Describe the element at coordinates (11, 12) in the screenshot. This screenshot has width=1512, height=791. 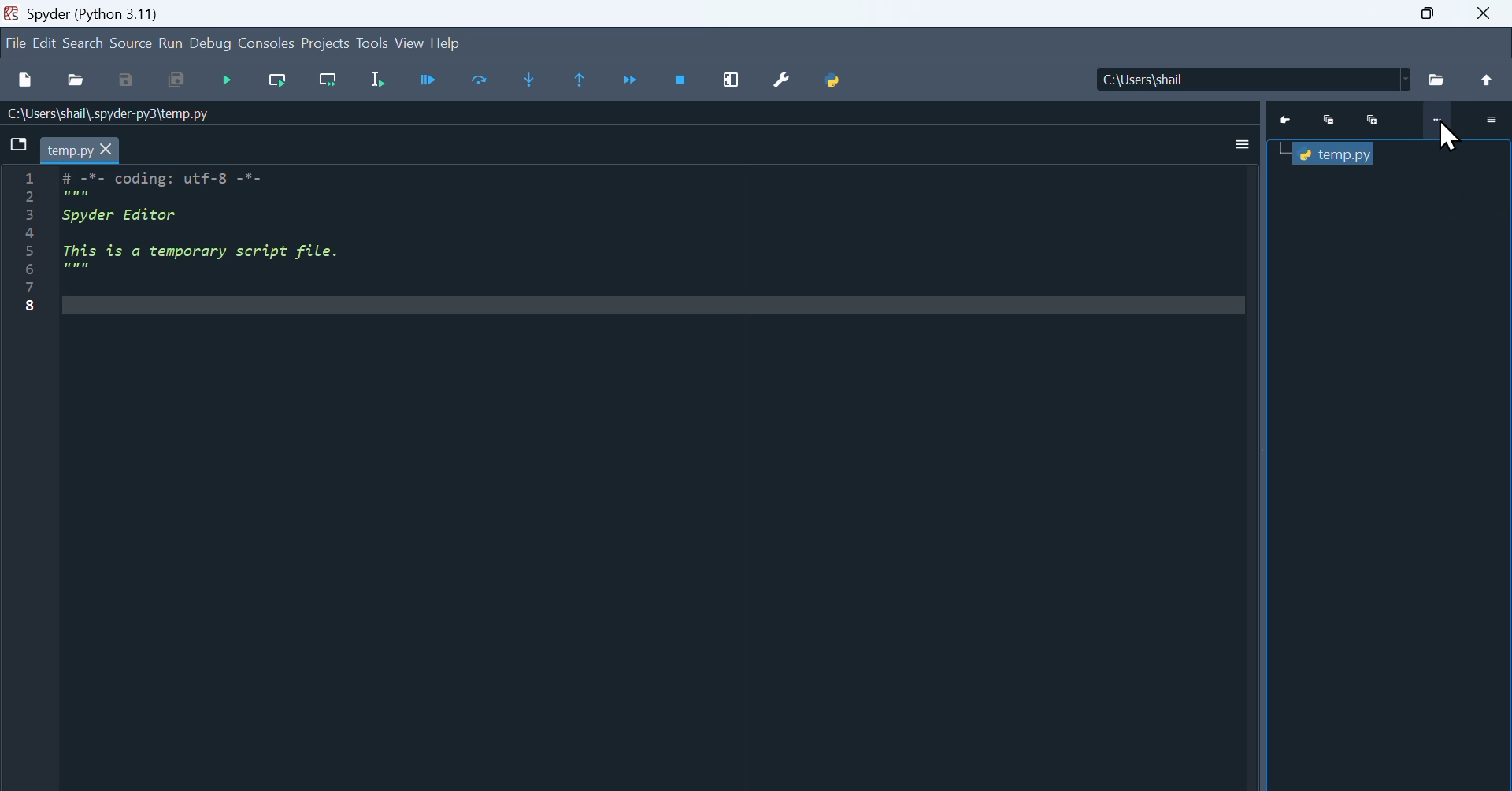
I see `Spyder icon` at that location.